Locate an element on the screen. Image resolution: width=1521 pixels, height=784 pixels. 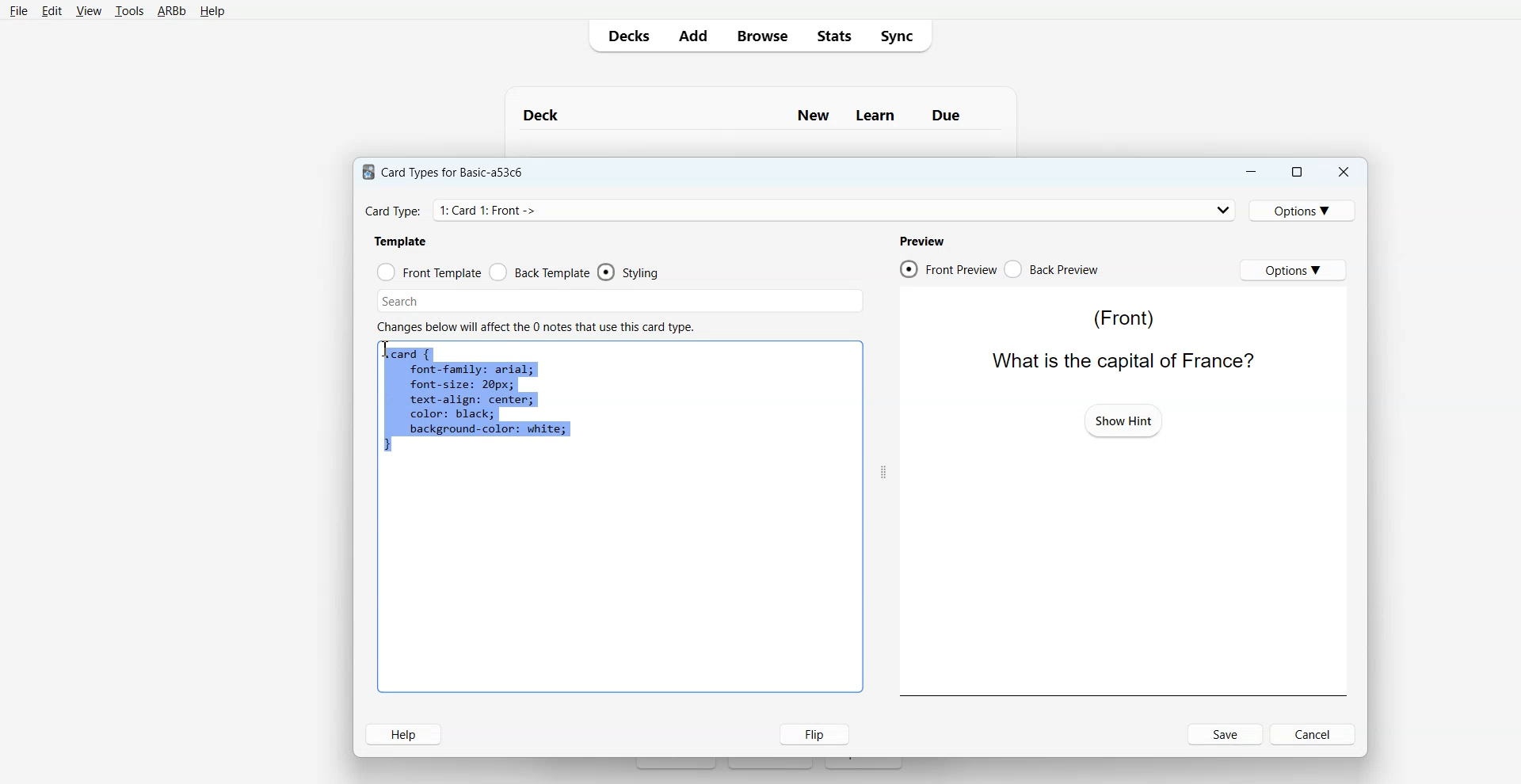
Edit is located at coordinates (52, 11).